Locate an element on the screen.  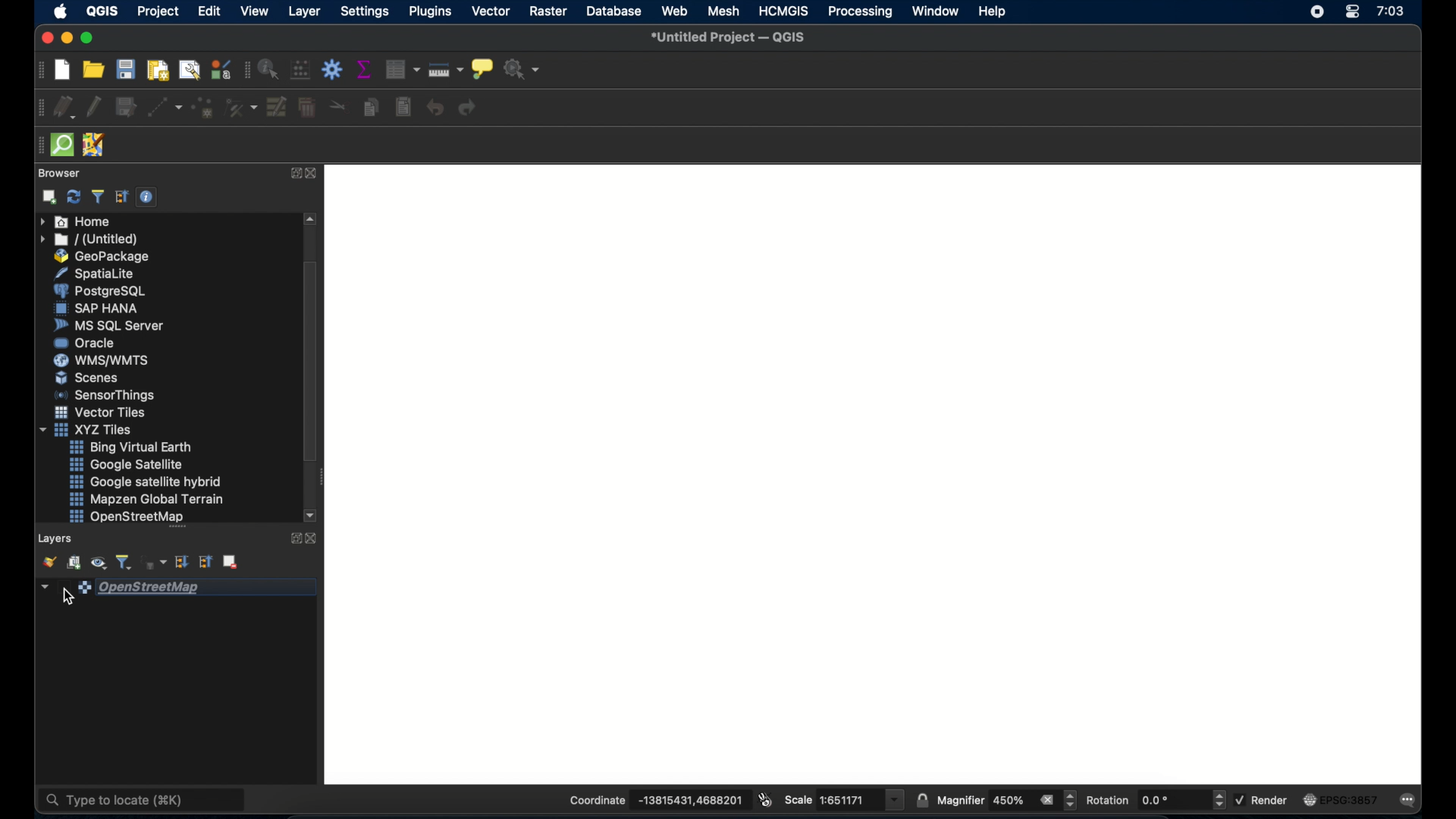
enable/disbale properties widget is located at coordinates (147, 199).